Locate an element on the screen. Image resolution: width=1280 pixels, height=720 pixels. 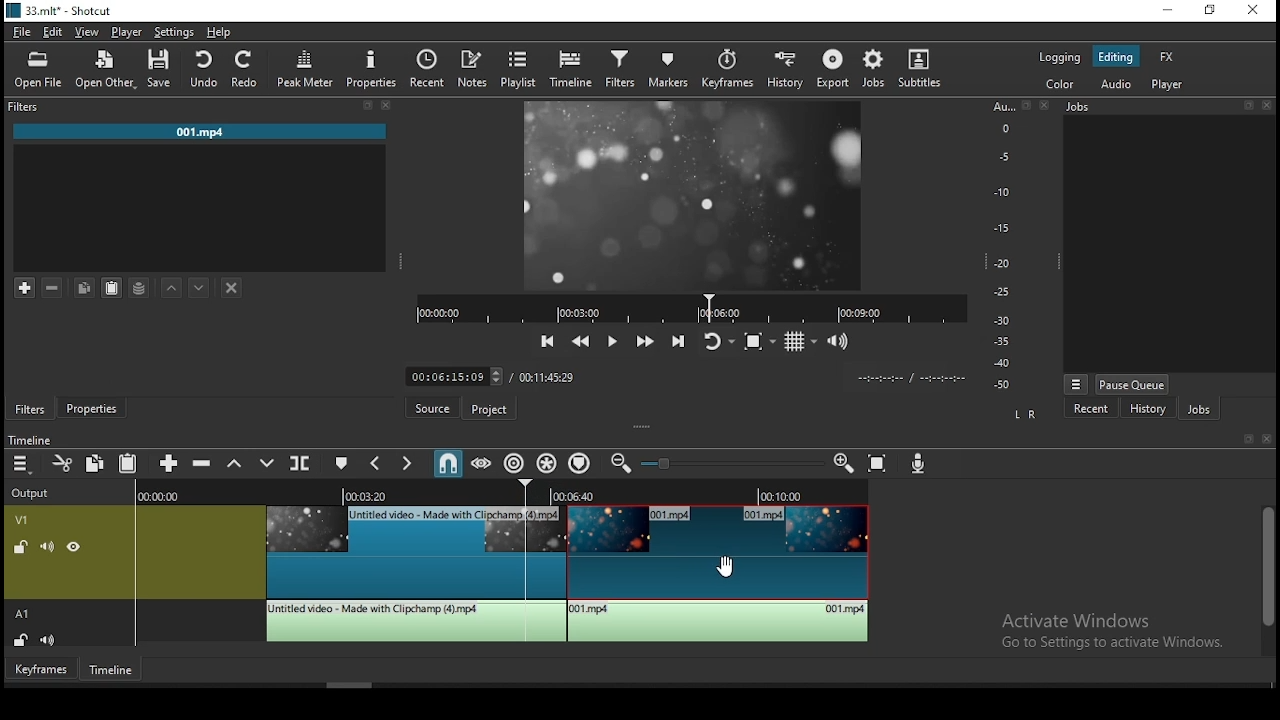
save filter sets is located at coordinates (143, 290).